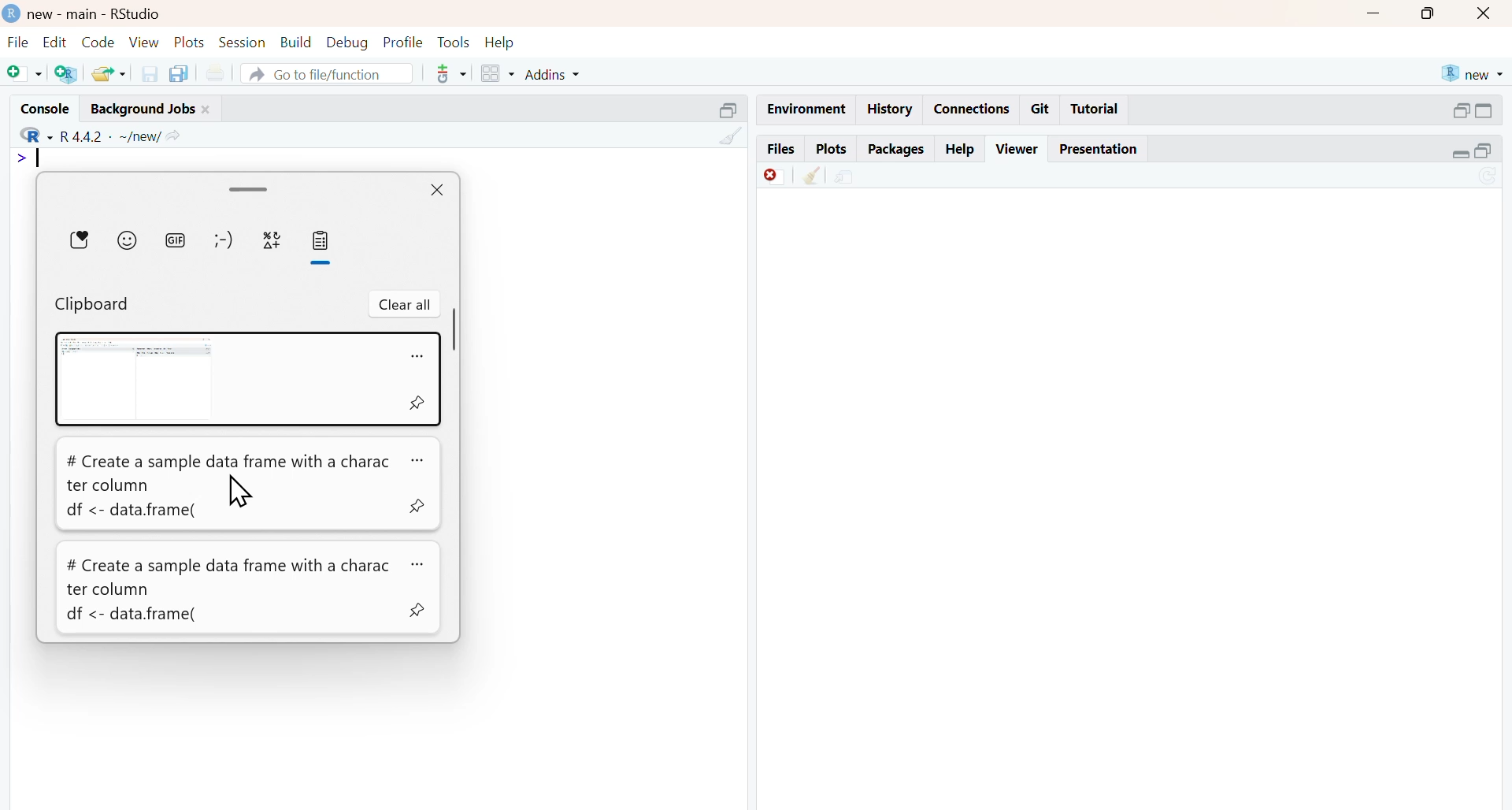 Image resolution: width=1512 pixels, height=810 pixels. What do you see at coordinates (1462, 154) in the screenshot?
I see `expand/collapse` at bounding box center [1462, 154].